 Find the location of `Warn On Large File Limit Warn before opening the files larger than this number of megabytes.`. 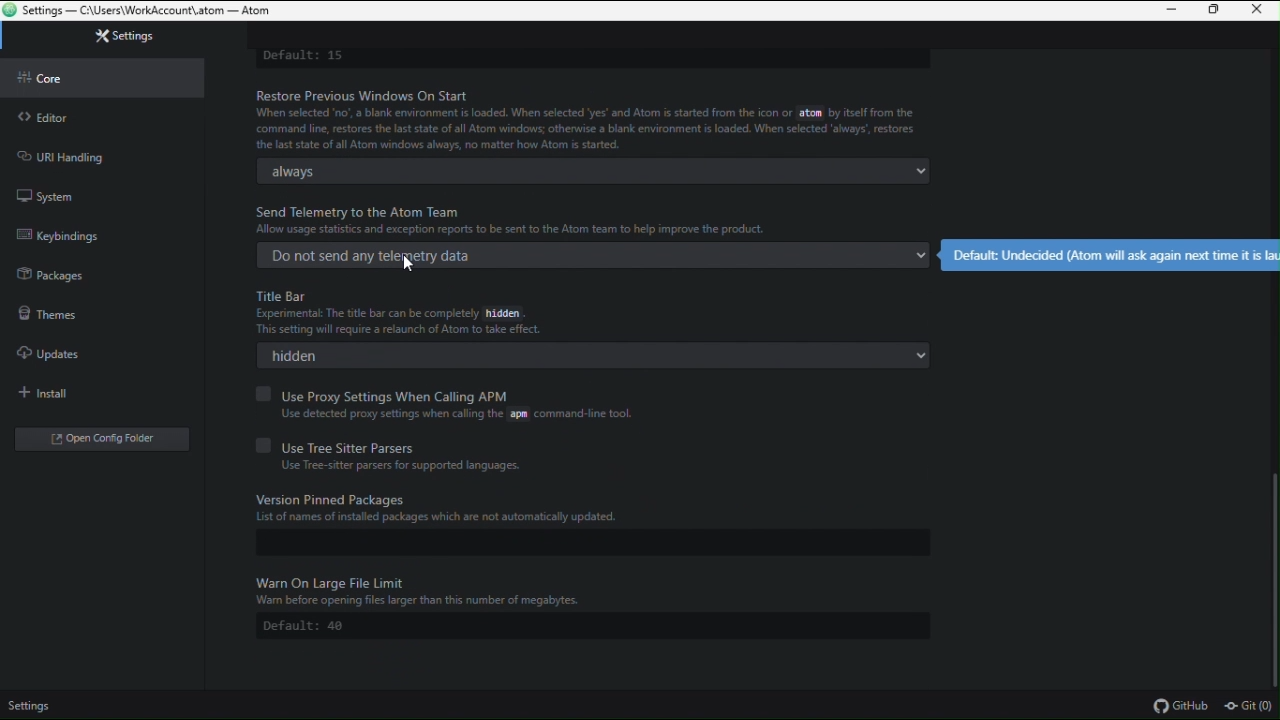

Warn On Large File Limit Warn before opening the files larger than this number of megabytes. is located at coordinates (494, 589).